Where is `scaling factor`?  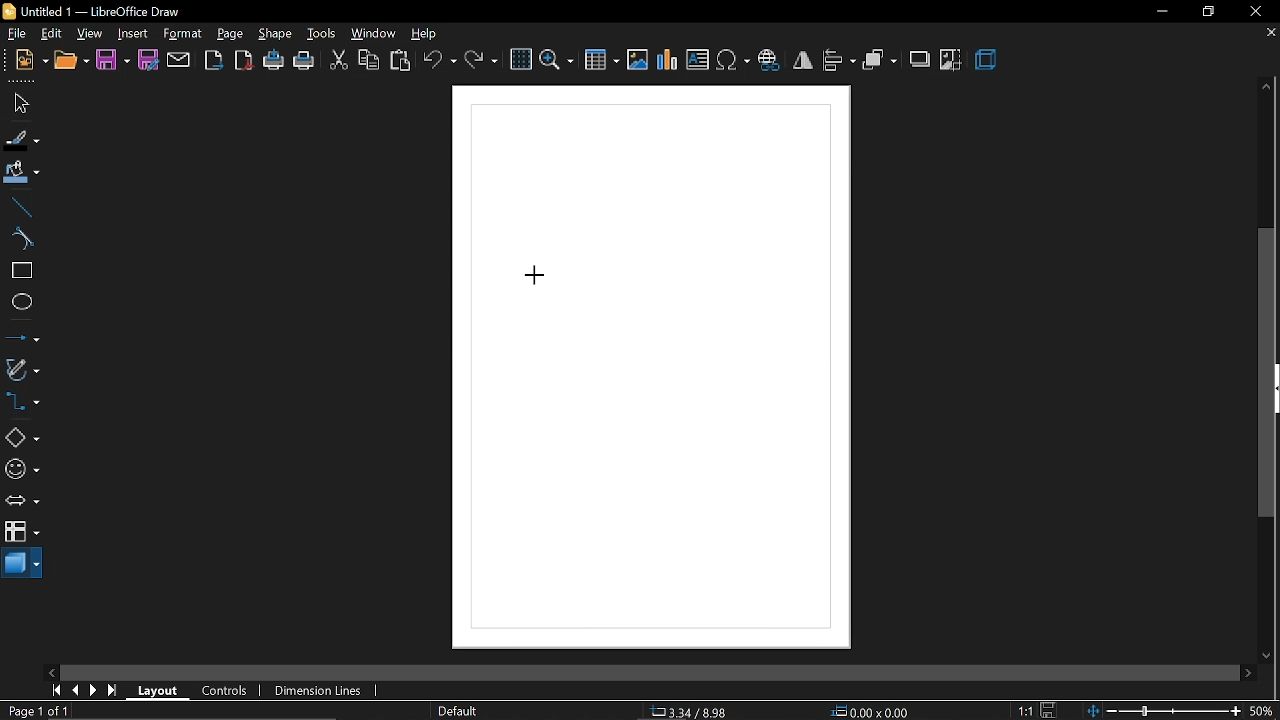 scaling factor is located at coordinates (1024, 711).